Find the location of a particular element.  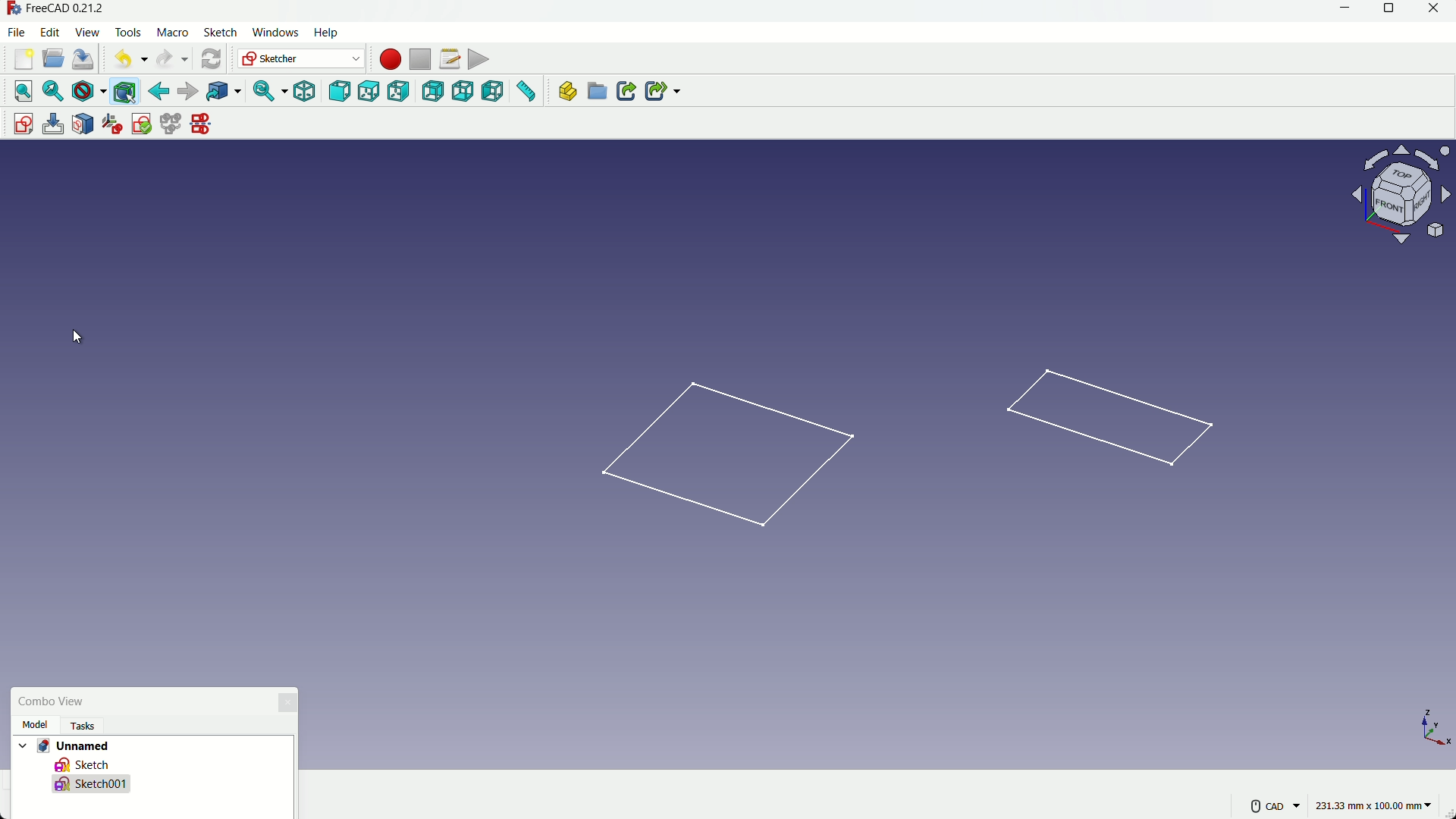

front view is located at coordinates (338, 93).